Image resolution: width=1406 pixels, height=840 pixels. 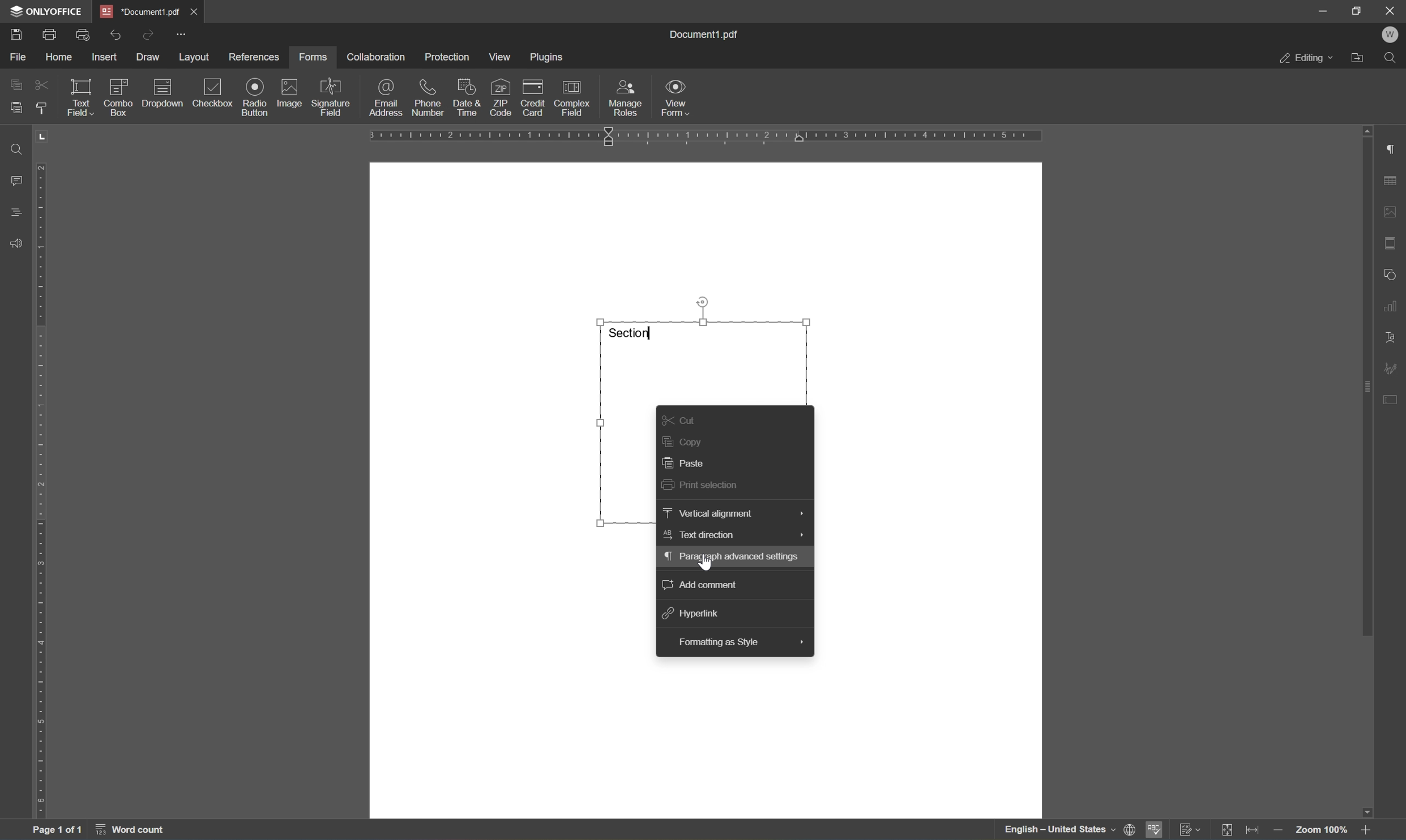 What do you see at coordinates (683, 440) in the screenshot?
I see `copy` at bounding box center [683, 440].